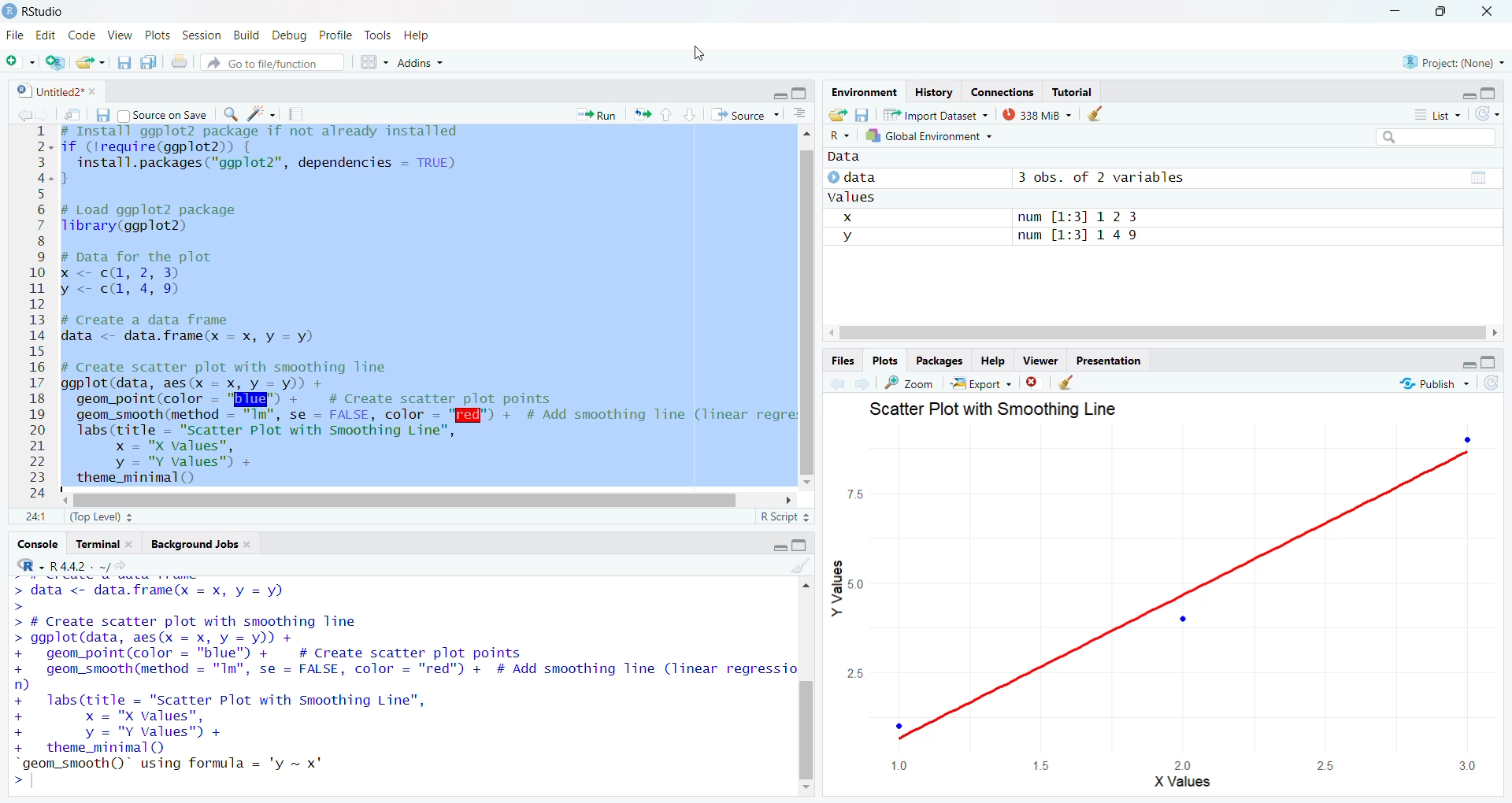  What do you see at coordinates (59, 92) in the screenshot?
I see ` Untitled2*` at bounding box center [59, 92].